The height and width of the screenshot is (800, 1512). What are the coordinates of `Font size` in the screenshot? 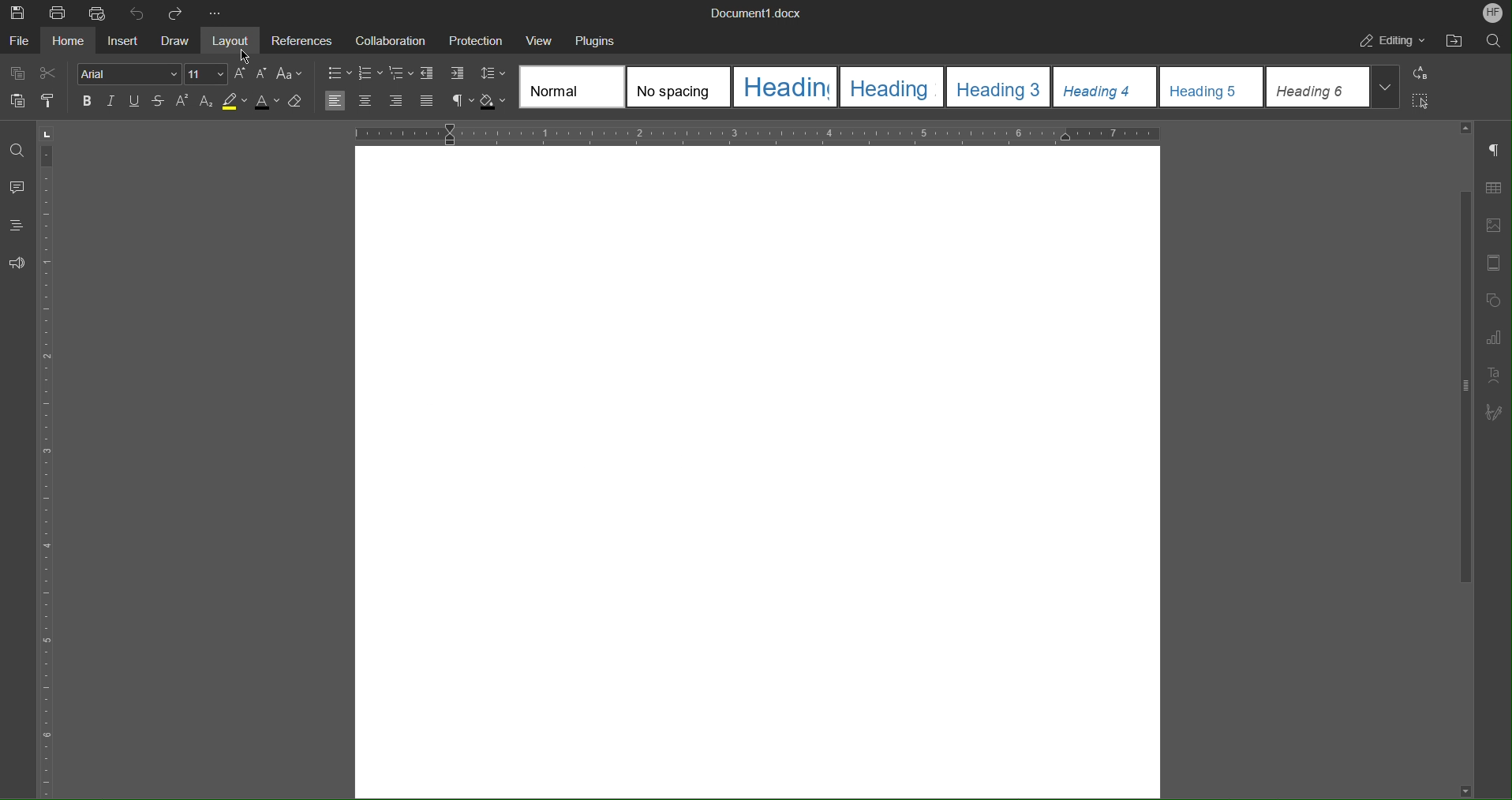 It's located at (206, 74).